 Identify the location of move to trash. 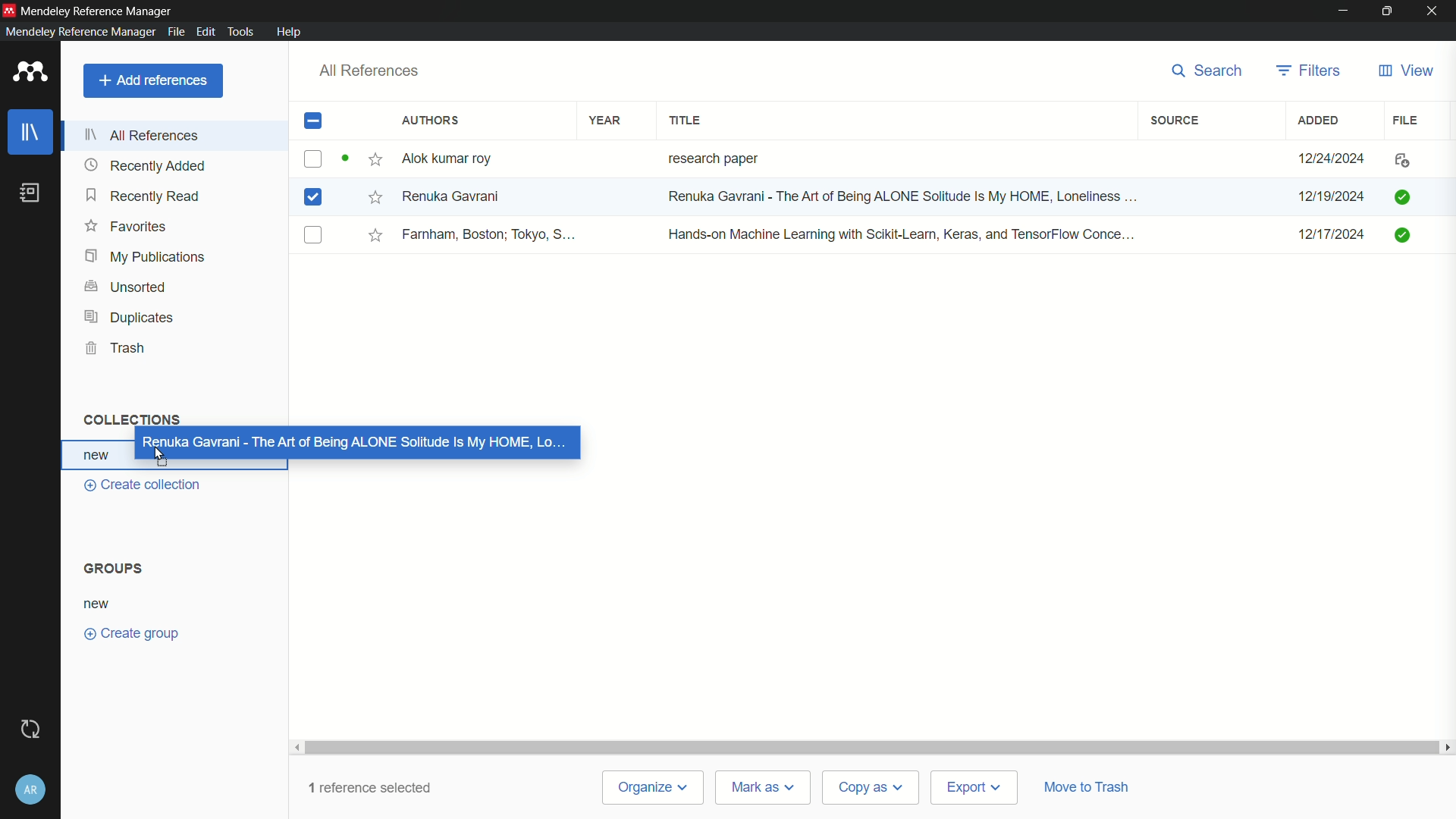
(1090, 787).